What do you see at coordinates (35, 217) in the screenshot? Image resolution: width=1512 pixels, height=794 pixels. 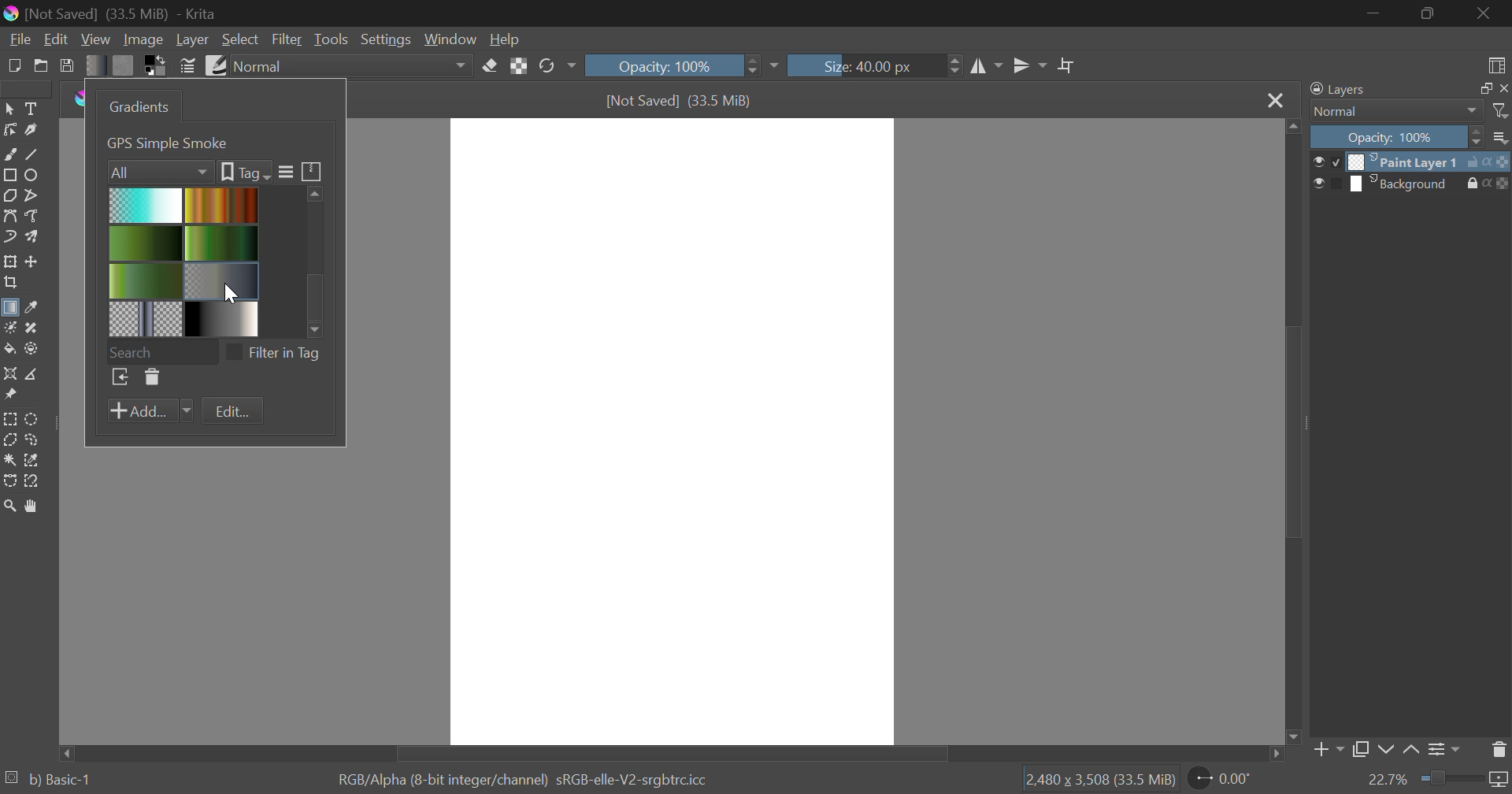 I see `Freehand Path Tool` at bounding box center [35, 217].